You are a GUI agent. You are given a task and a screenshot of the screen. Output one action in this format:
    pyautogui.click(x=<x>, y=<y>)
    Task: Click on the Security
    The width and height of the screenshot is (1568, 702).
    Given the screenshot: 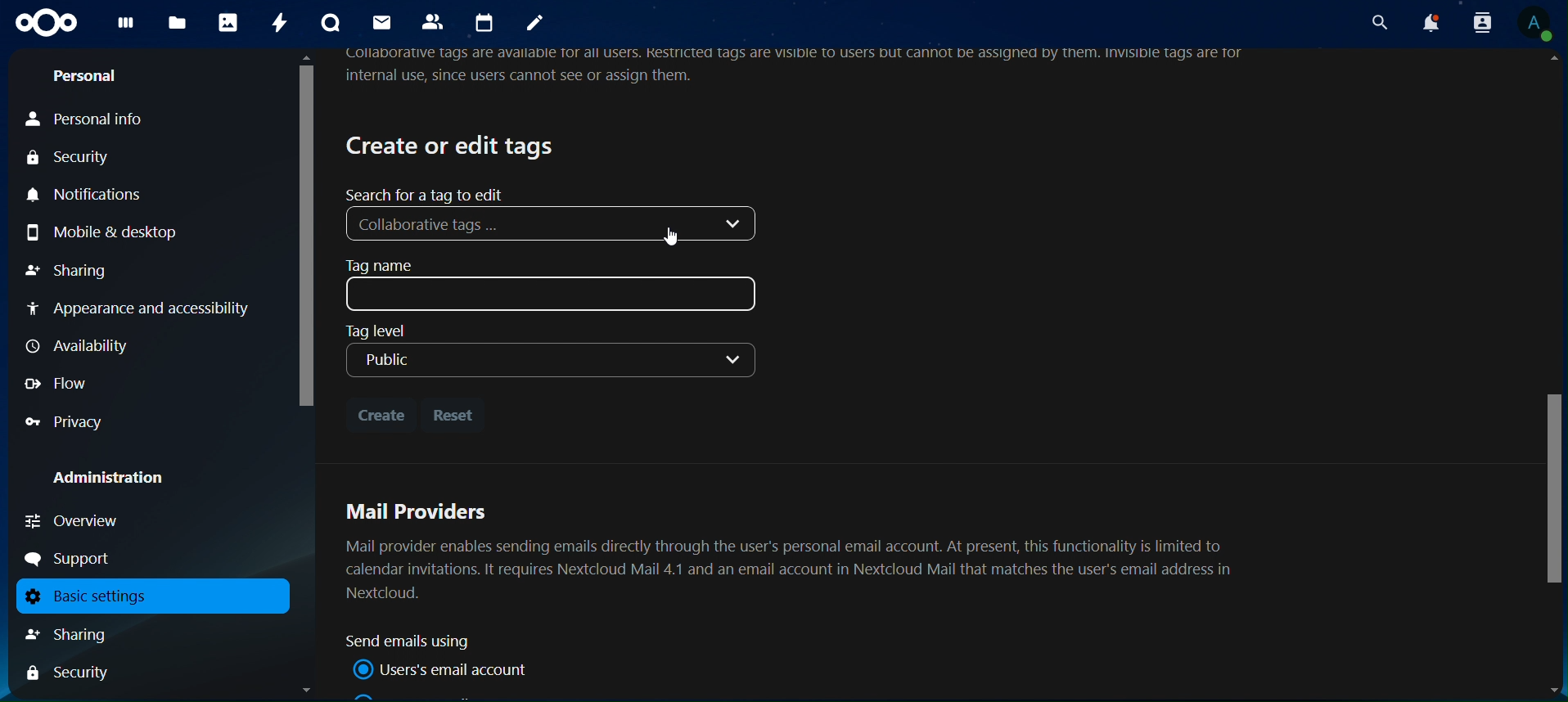 What is the action you would take?
    pyautogui.click(x=69, y=674)
    